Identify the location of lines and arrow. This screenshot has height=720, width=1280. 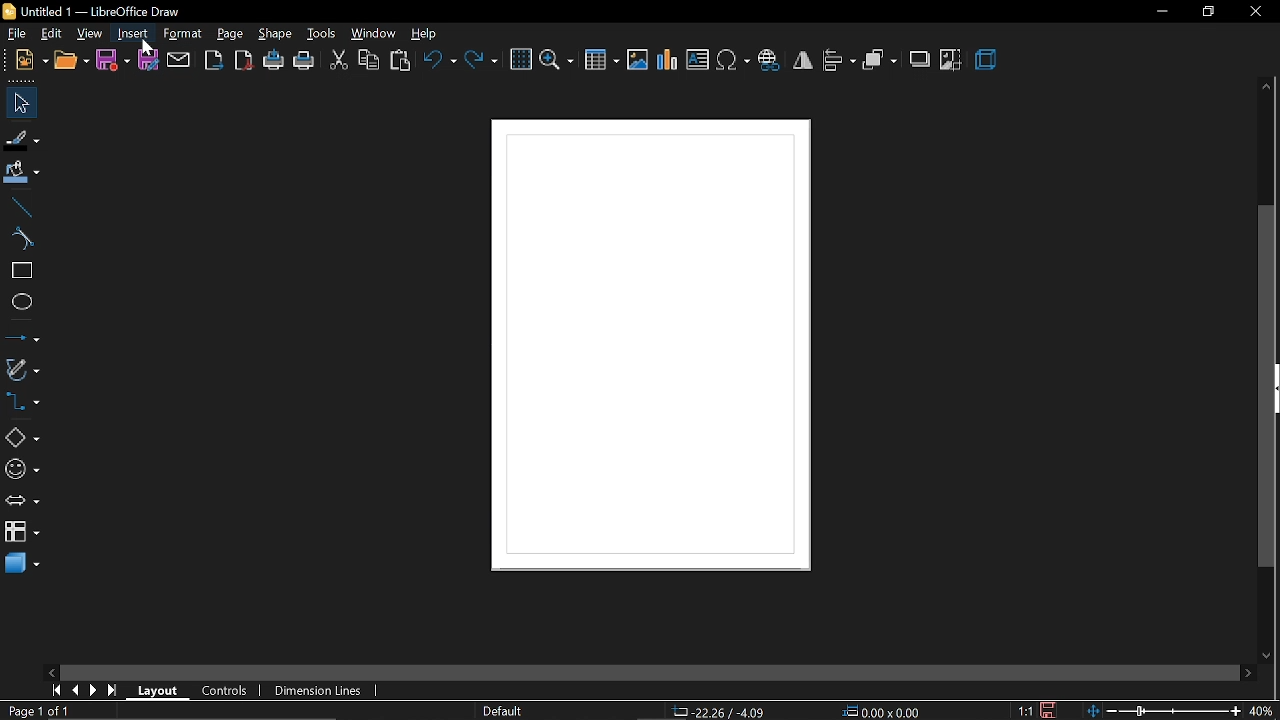
(22, 337).